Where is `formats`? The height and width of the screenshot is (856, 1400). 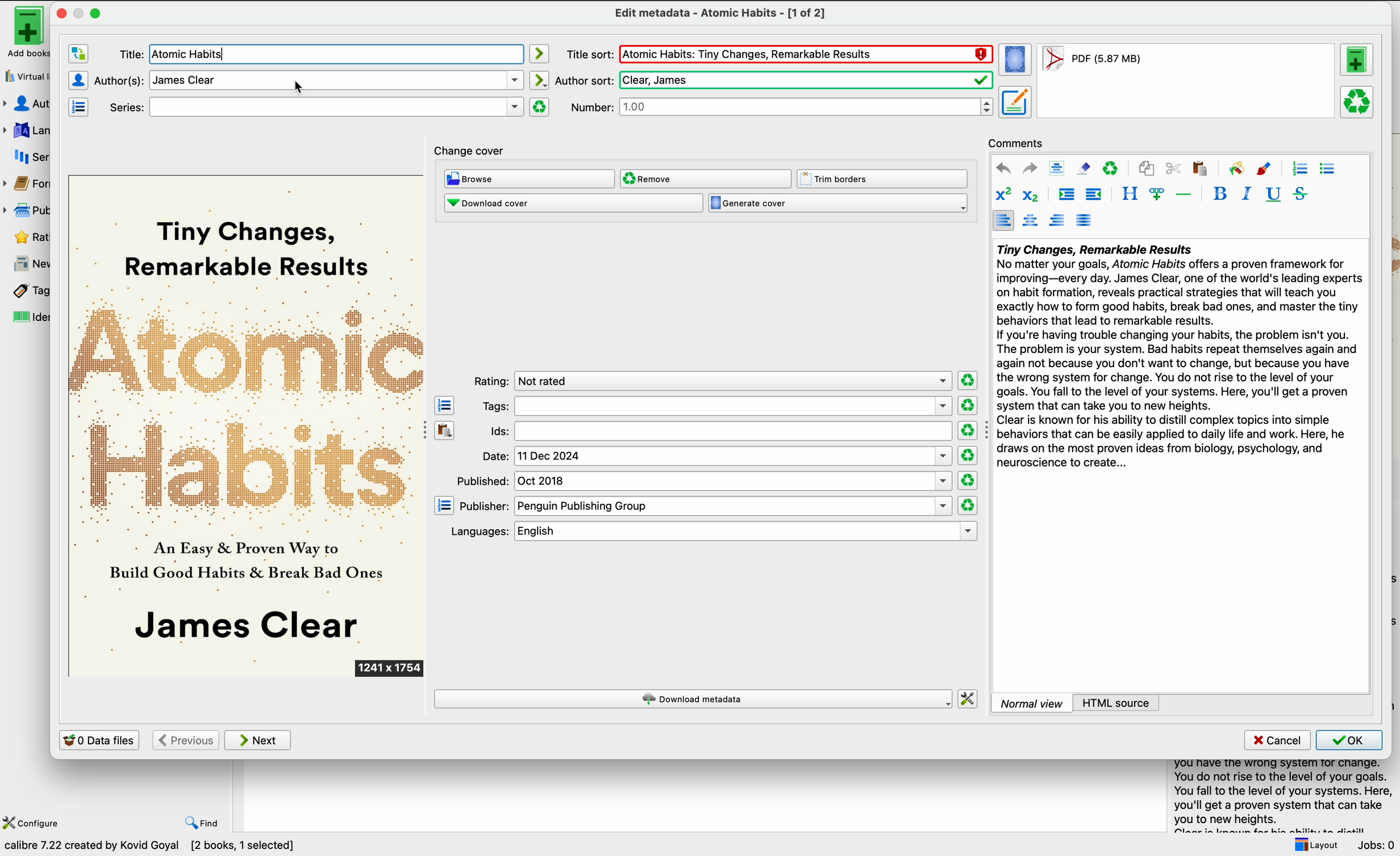
formats is located at coordinates (28, 186).